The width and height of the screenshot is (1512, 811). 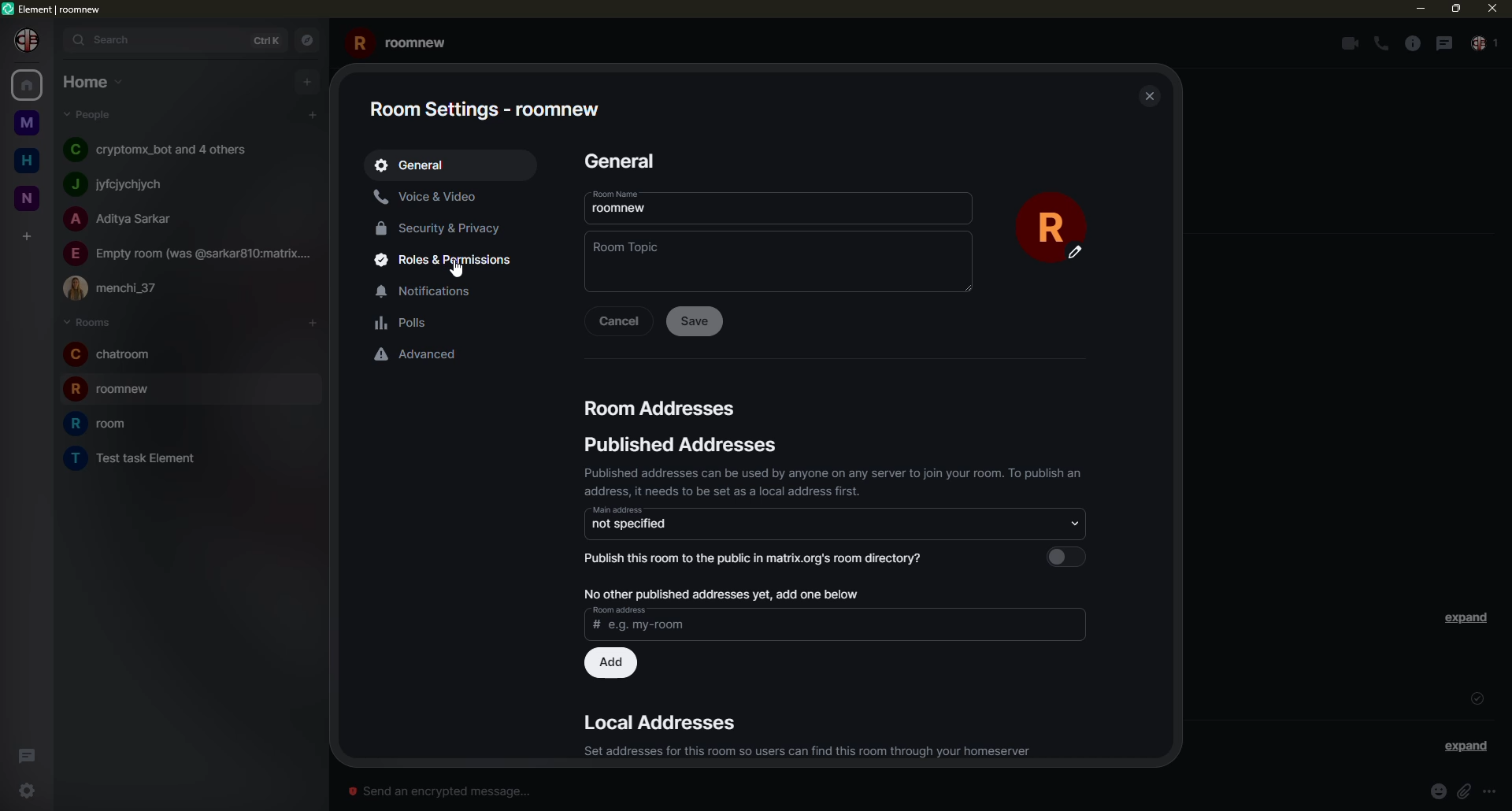 I want to click on mi, so click(x=1420, y=9).